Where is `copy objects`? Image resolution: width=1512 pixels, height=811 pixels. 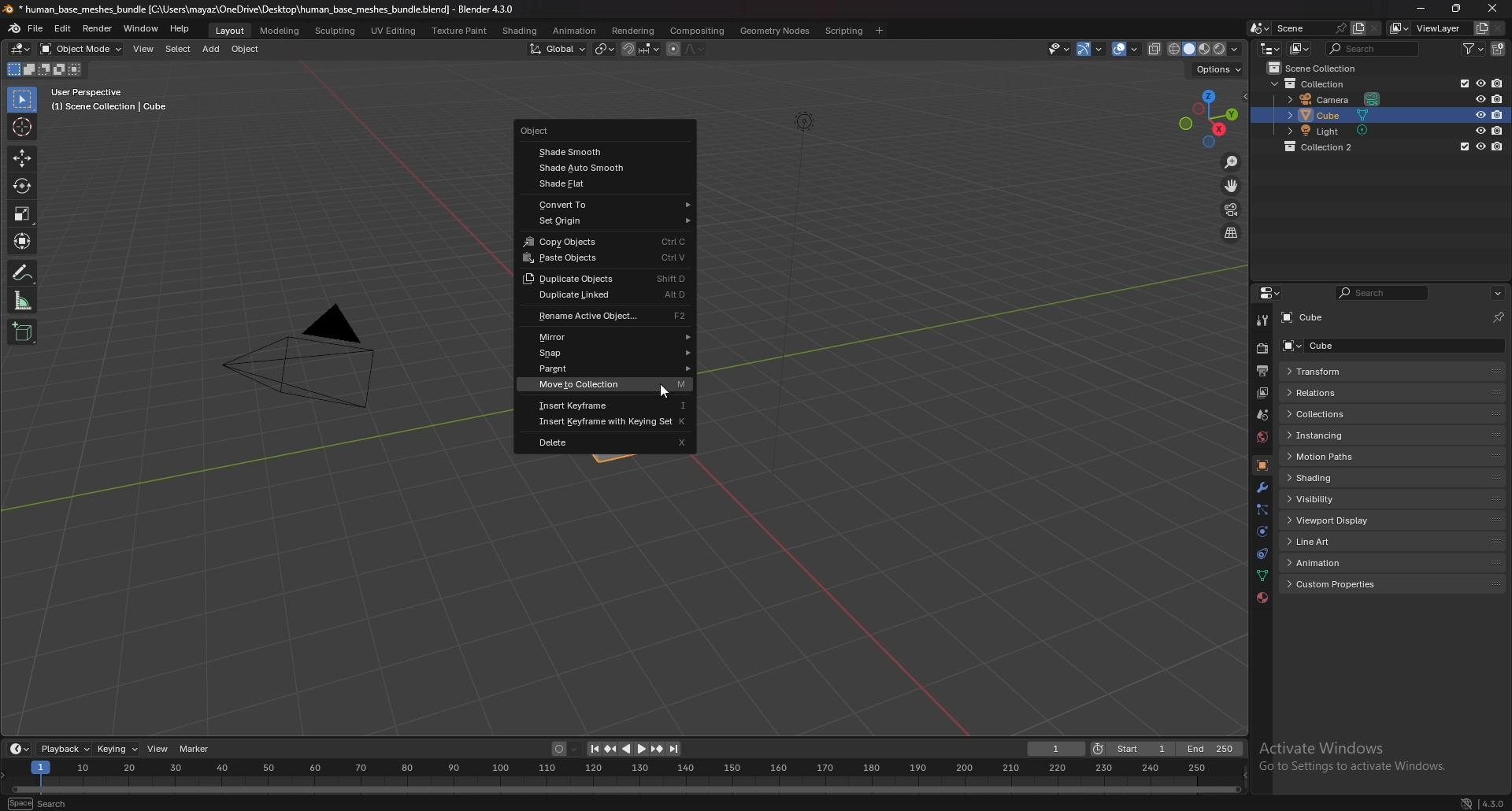
copy objects is located at coordinates (608, 241).